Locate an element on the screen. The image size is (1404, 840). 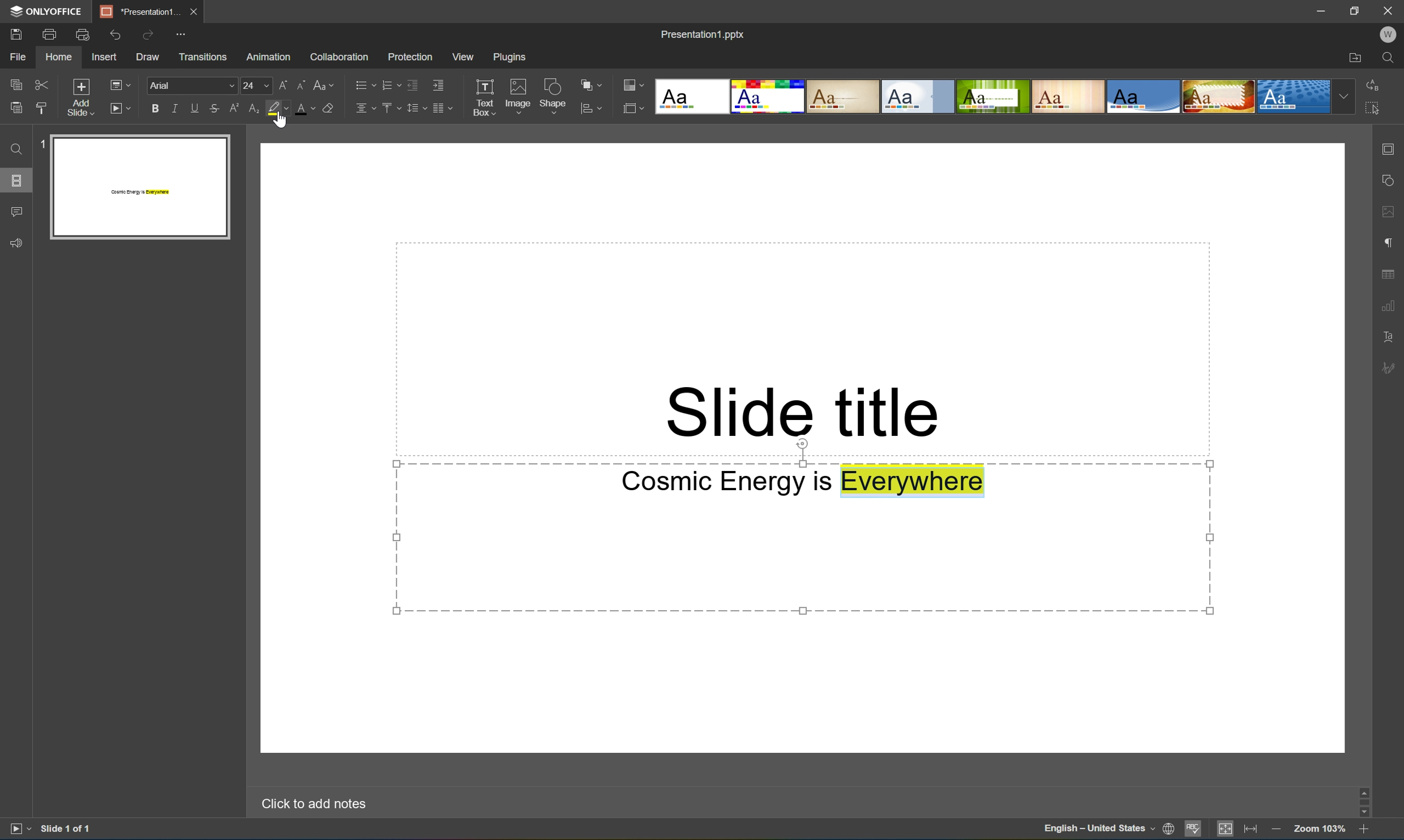
View is located at coordinates (464, 58).